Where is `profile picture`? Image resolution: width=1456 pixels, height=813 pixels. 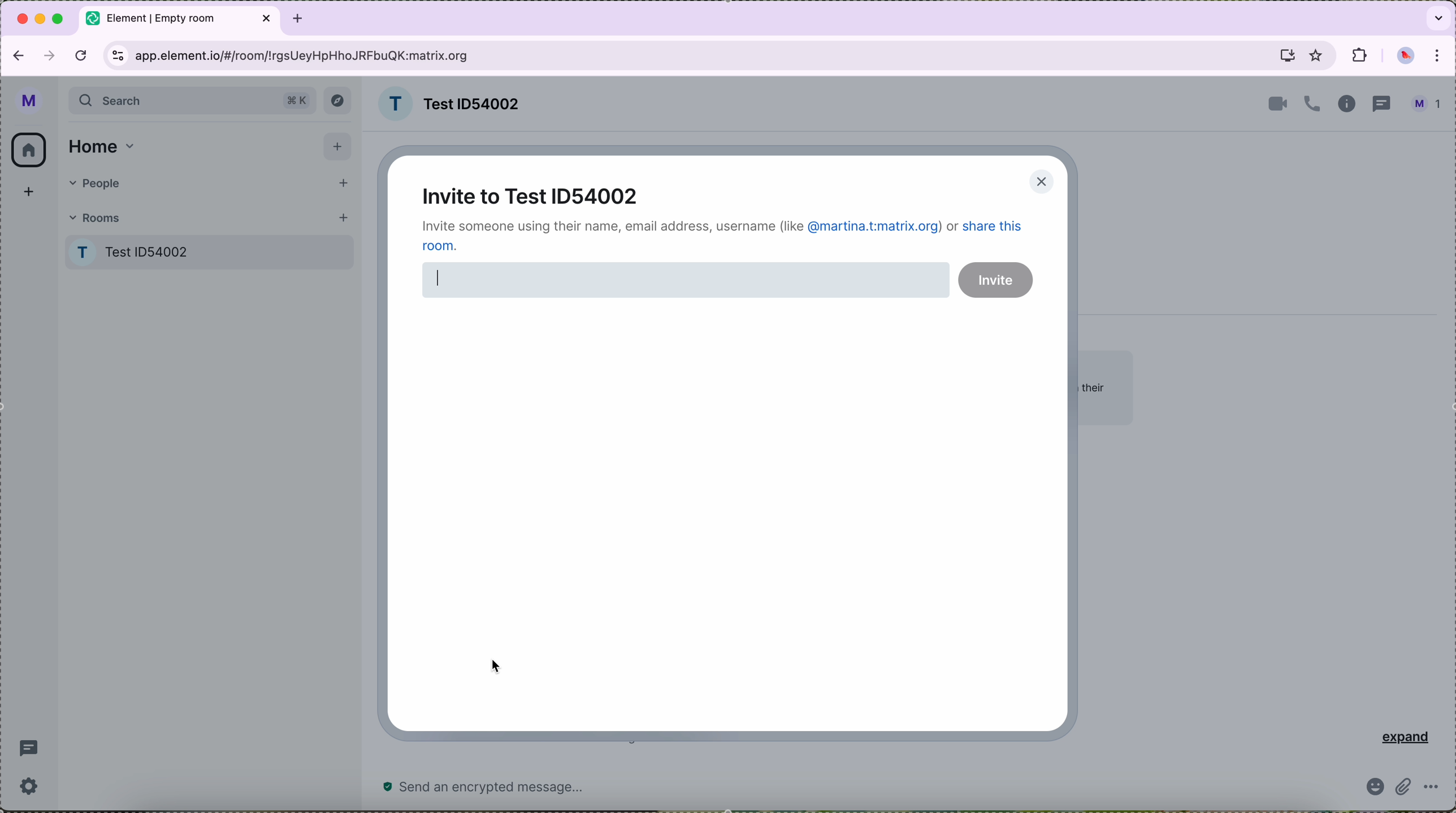 profile picture is located at coordinates (1408, 56).